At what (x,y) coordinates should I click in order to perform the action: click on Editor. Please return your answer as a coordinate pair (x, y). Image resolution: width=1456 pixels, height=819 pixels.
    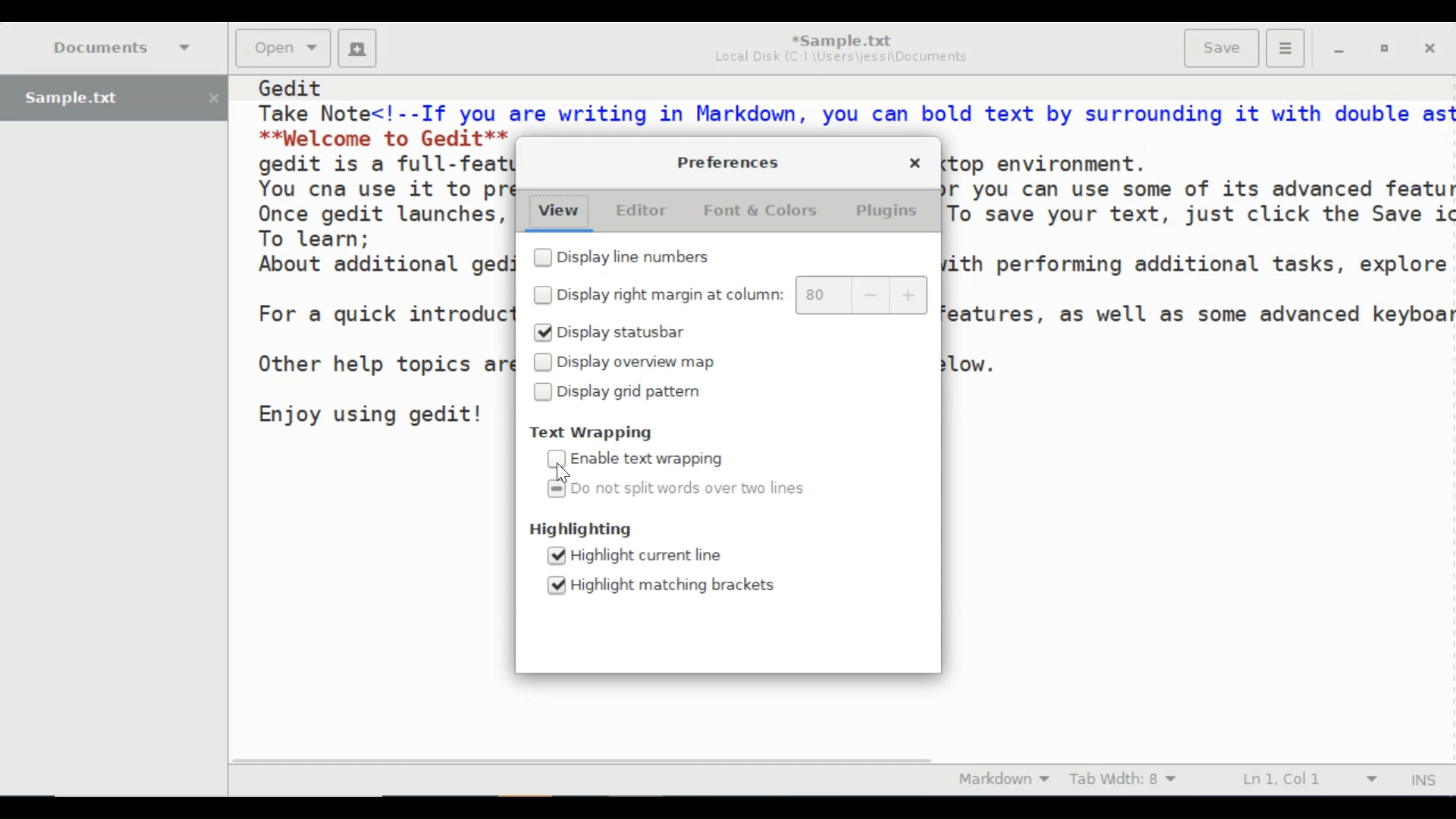
    Looking at the image, I should click on (643, 210).